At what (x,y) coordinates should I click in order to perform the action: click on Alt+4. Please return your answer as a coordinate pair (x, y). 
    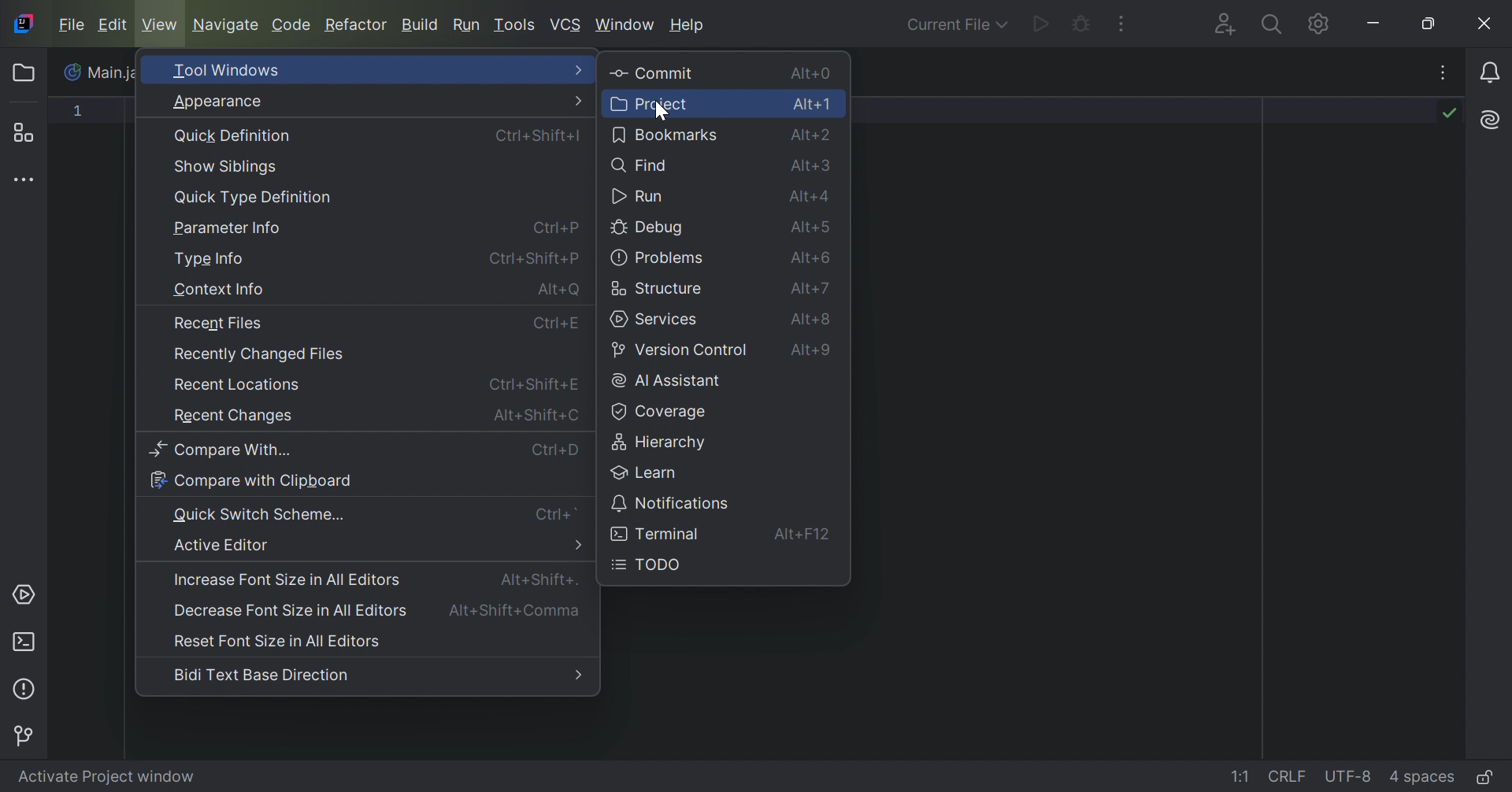
    Looking at the image, I should click on (812, 198).